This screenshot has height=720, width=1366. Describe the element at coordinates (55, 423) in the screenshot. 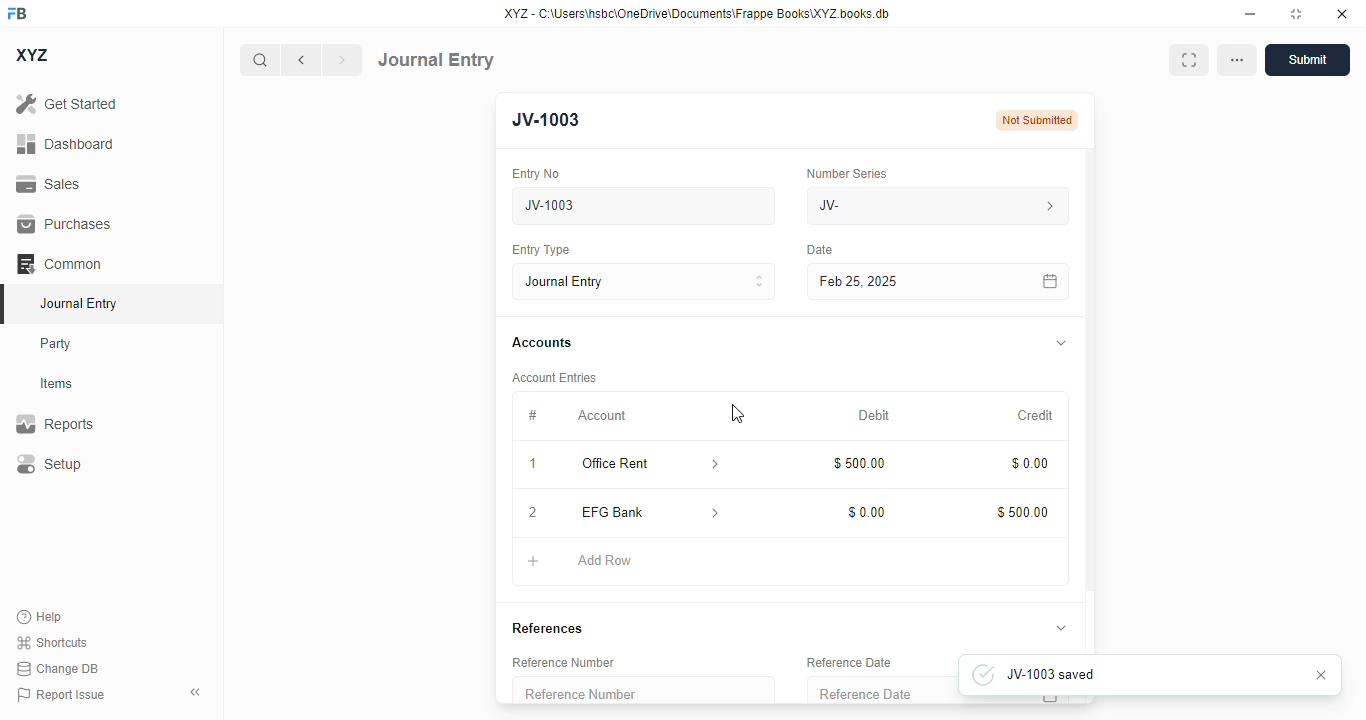

I see `reports` at that location.